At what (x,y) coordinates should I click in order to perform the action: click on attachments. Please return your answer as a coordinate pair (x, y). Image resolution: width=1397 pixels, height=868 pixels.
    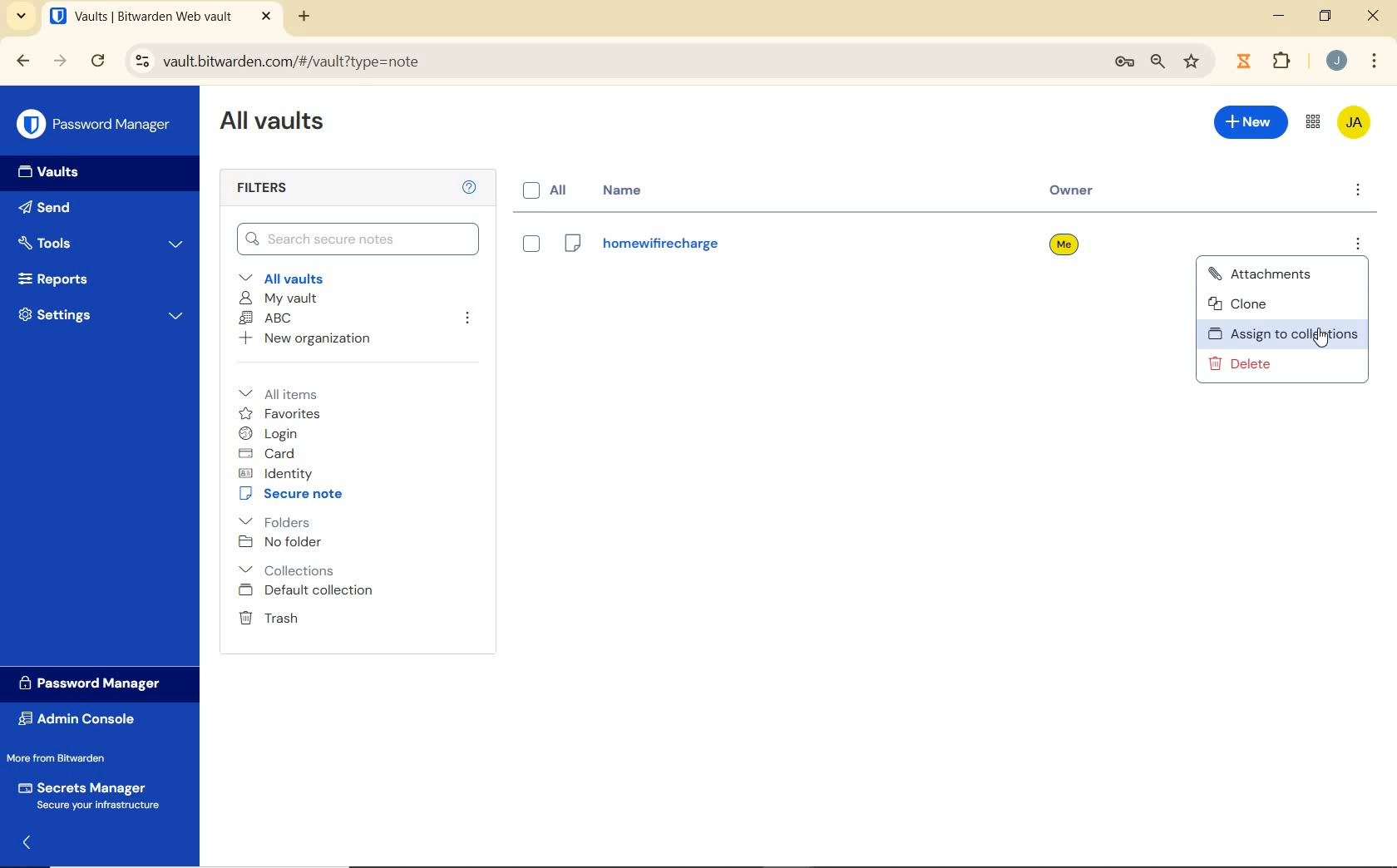
    Looking at the image, I should click on (1271, 272).